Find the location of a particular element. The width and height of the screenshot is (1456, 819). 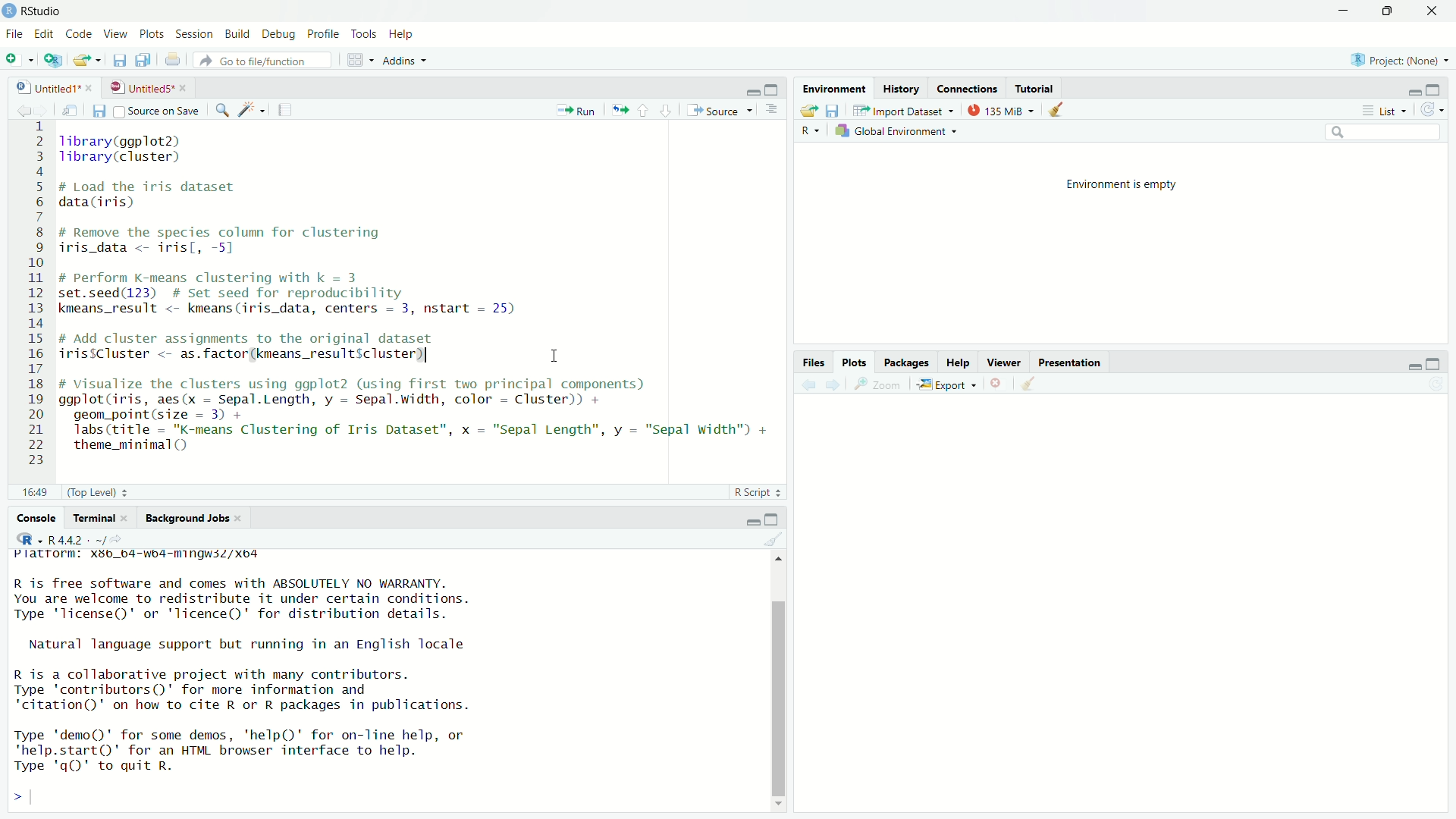

serial number is located at coordinates (33, 296).